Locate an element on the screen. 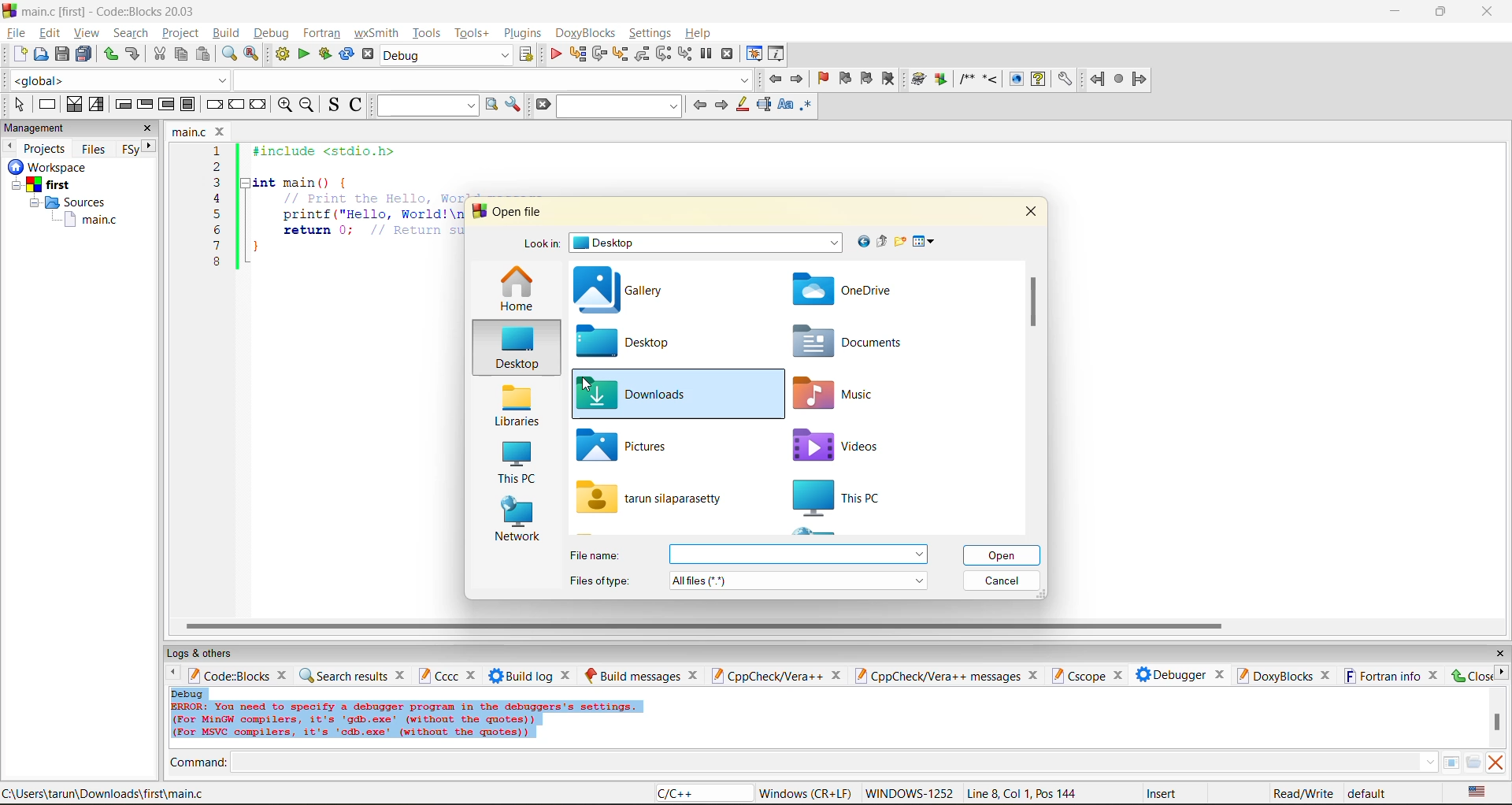  show the select target dialog is located at coordinates (528, 54).